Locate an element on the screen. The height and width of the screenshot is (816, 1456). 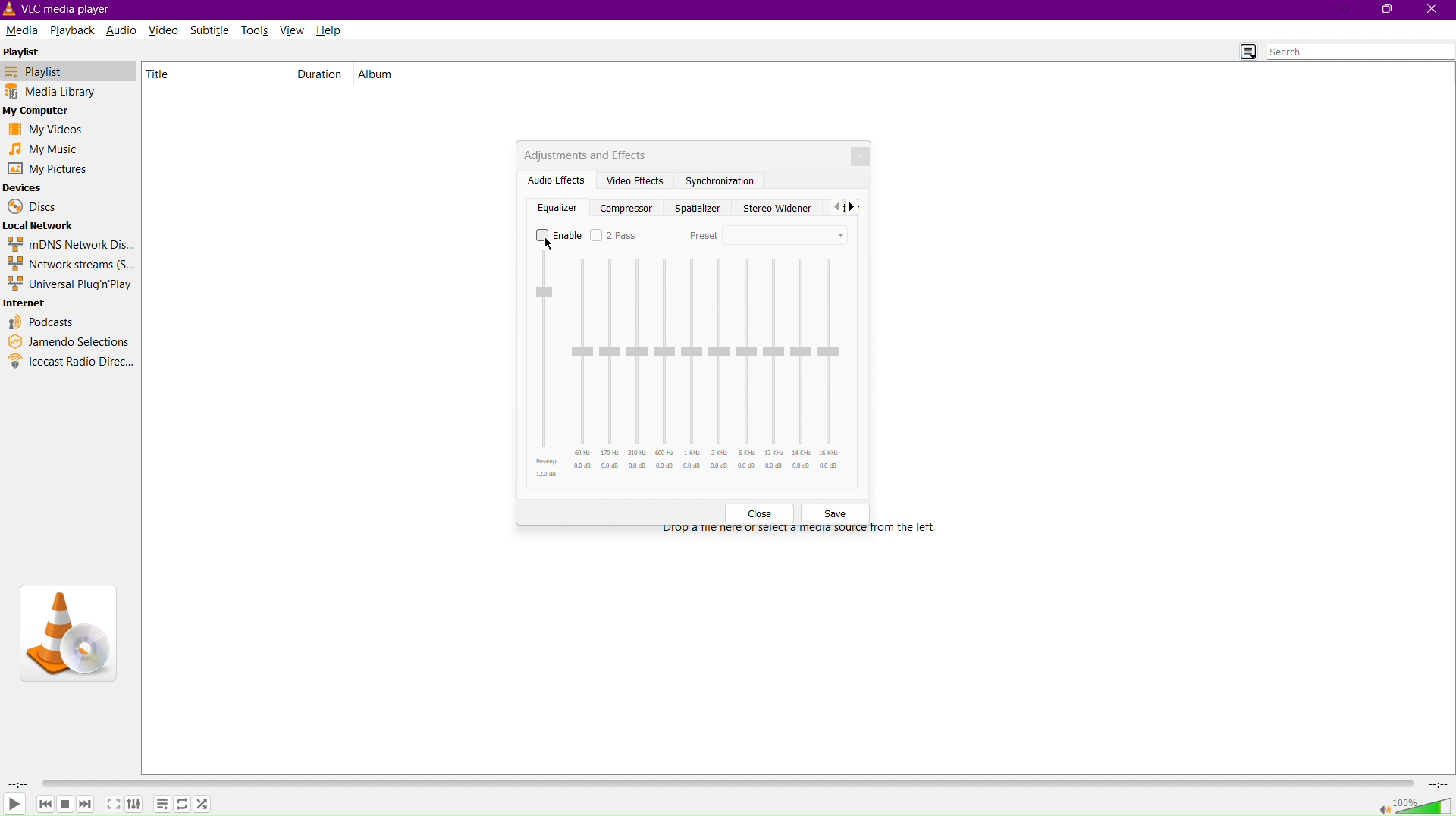
Synchronization is located at coordinates (716, 177).